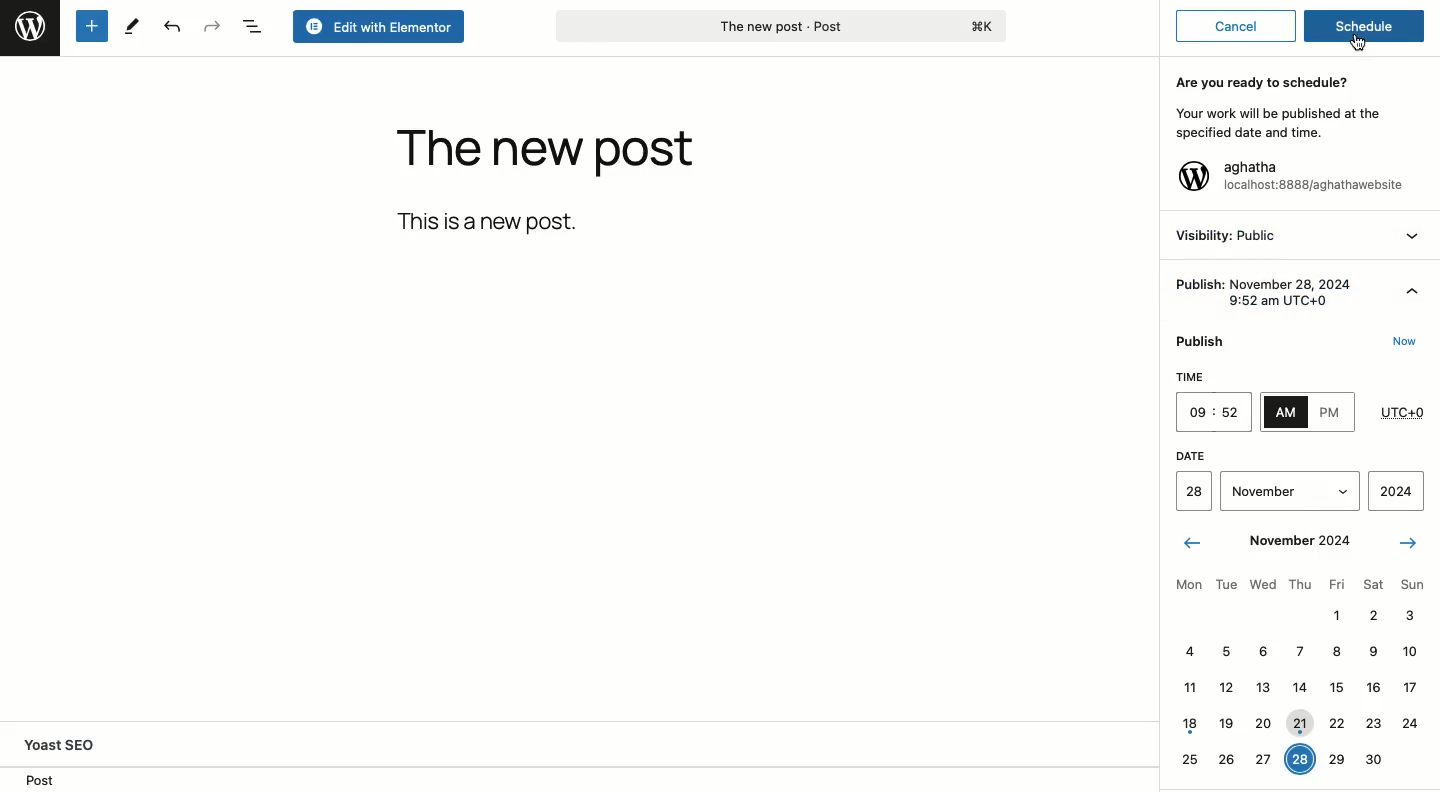 The image size is (1440, 792). What do you see at coordinates (1373, 614) in the screenshot?
I see `2` at bounding box center [1373, 614].